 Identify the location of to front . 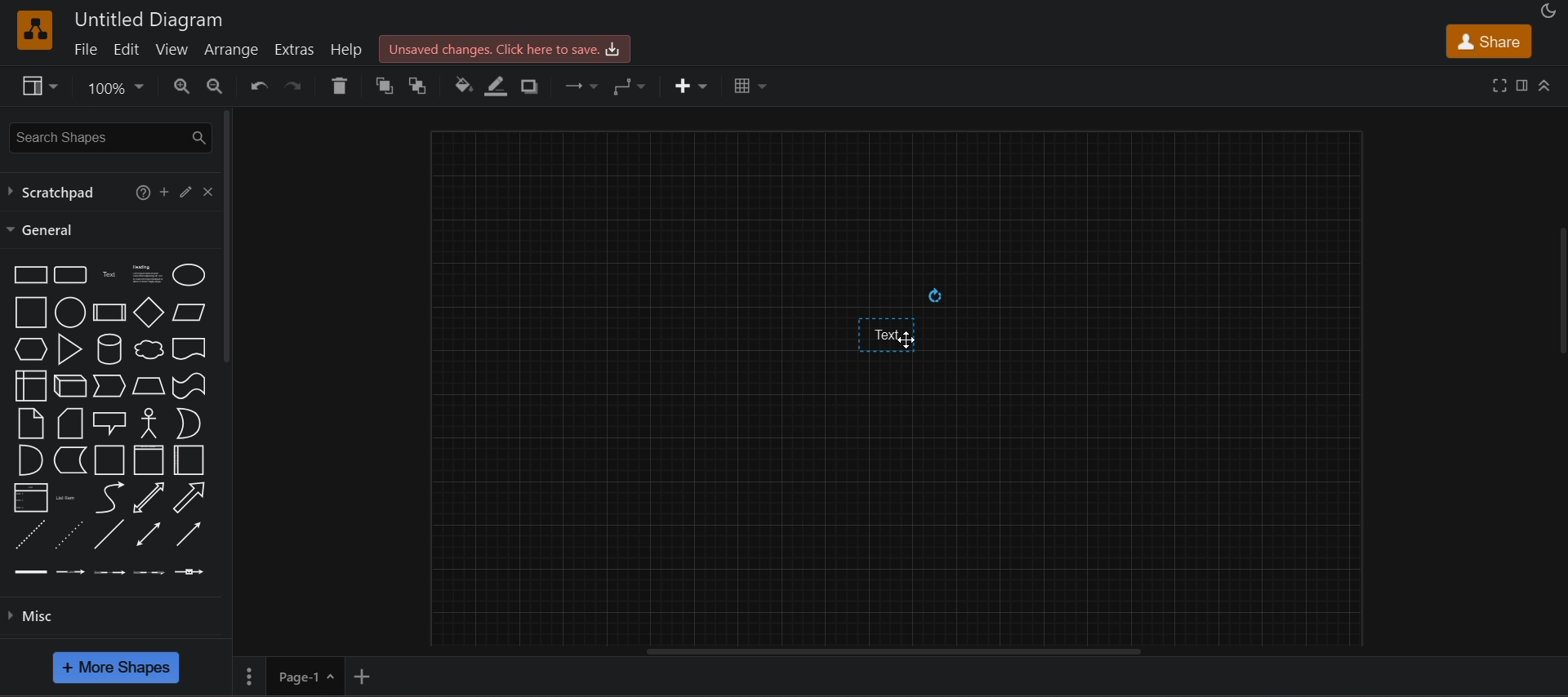
(385, 85).